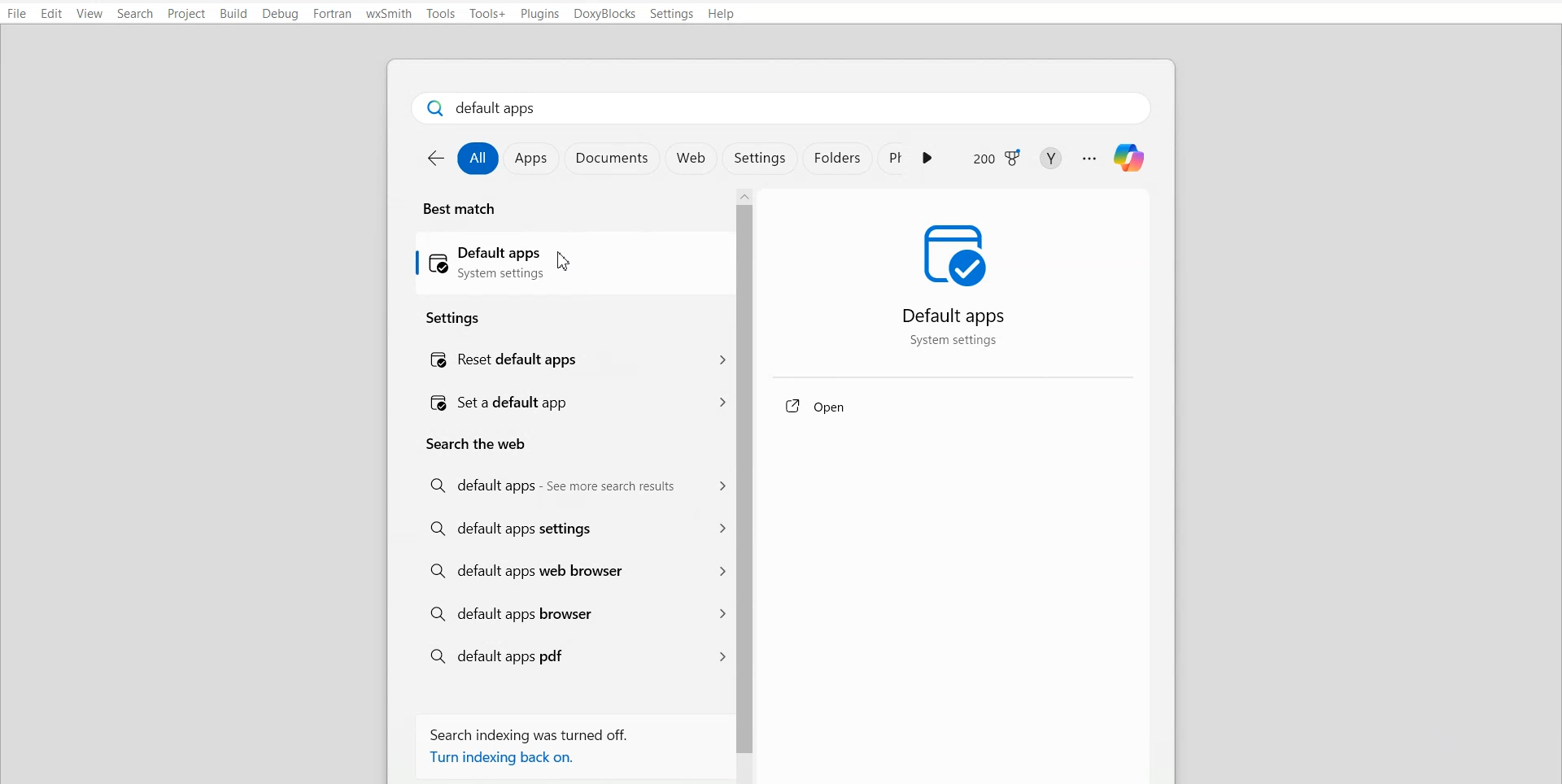 The width and height of the screenshot is (1562, 784). I want to click on Tool+, so click(490, 14).